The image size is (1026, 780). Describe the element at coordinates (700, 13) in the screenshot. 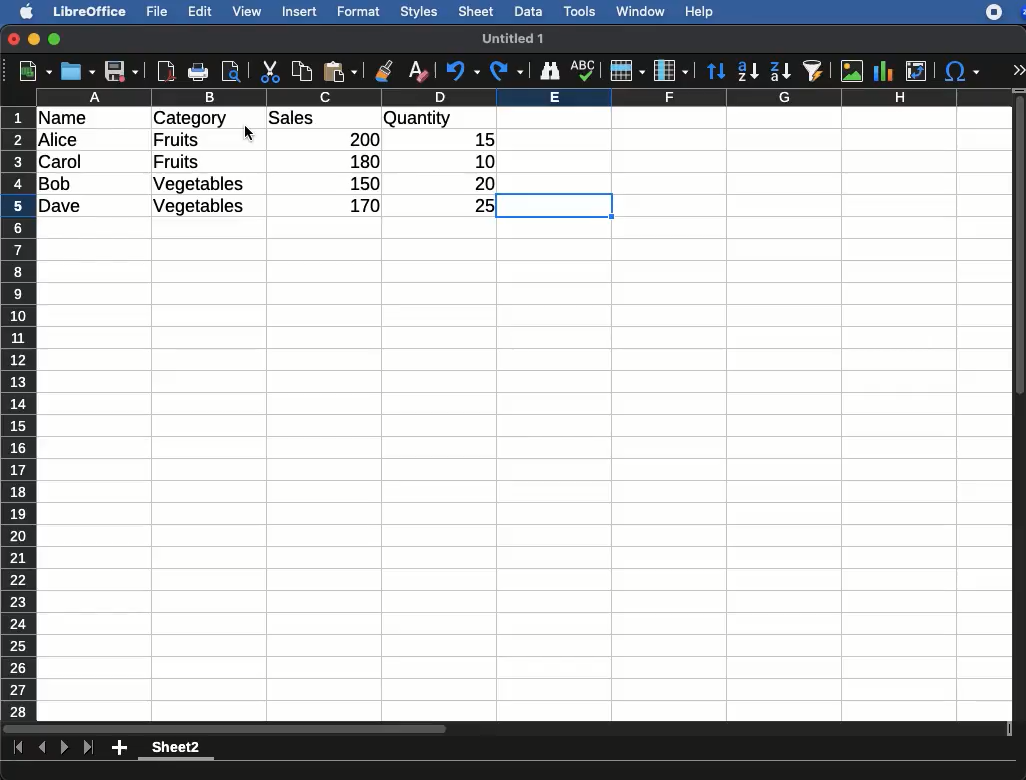

I see `help` at that location.